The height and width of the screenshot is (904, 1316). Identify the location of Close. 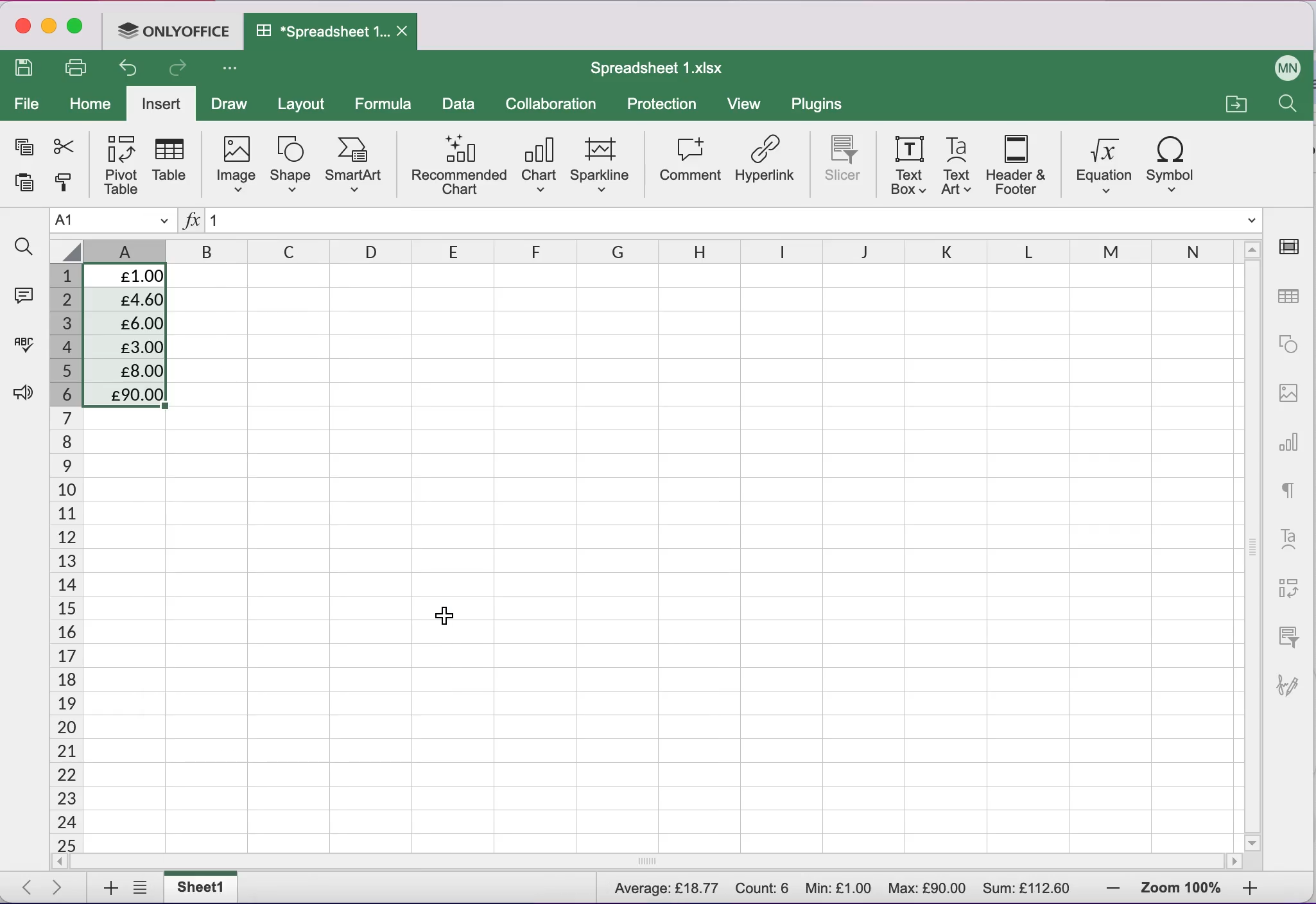
(407, 31).